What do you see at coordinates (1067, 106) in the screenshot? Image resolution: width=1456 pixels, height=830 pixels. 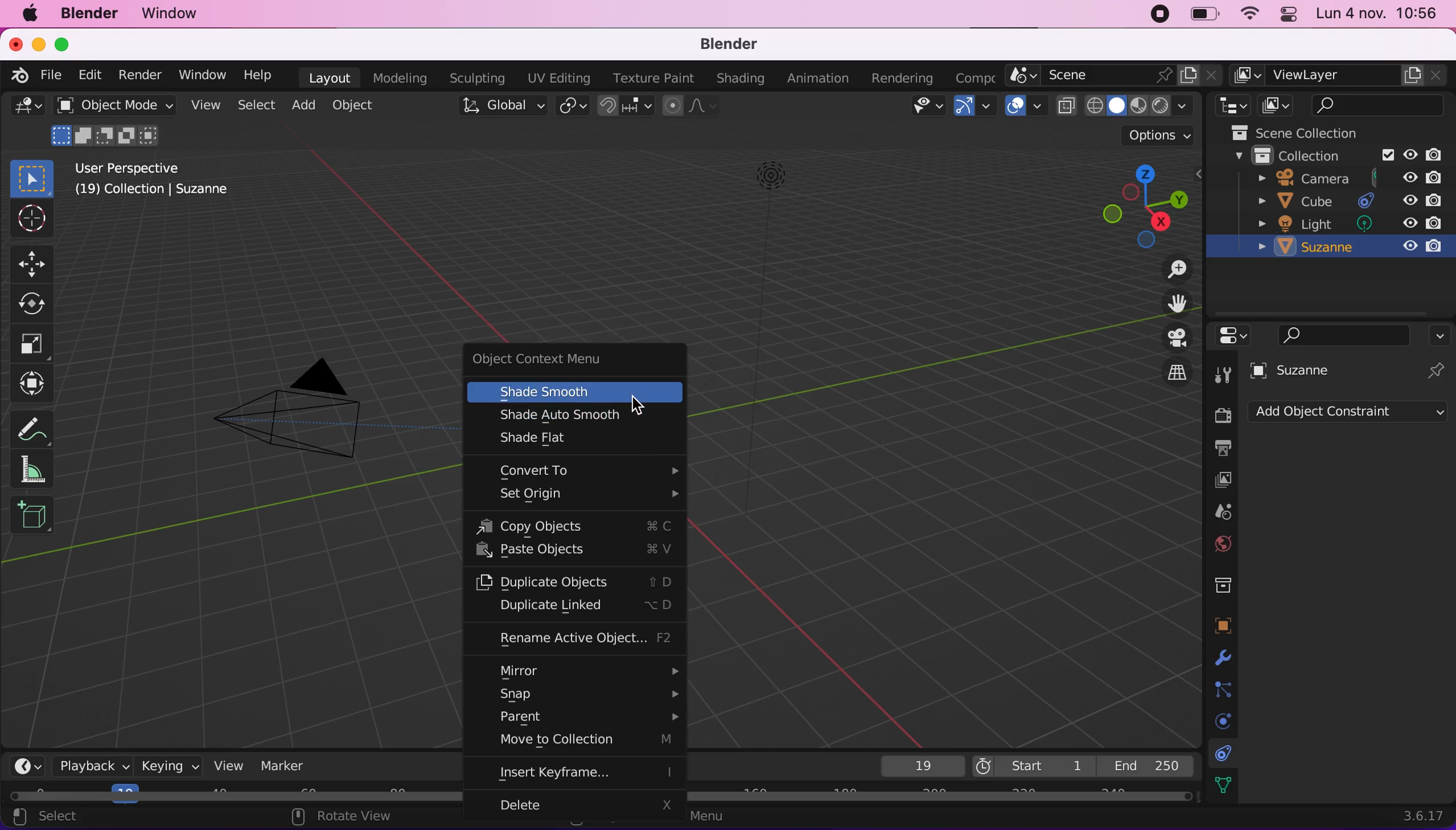 I see `toggle x ray` at bounding box center [1067, 106].